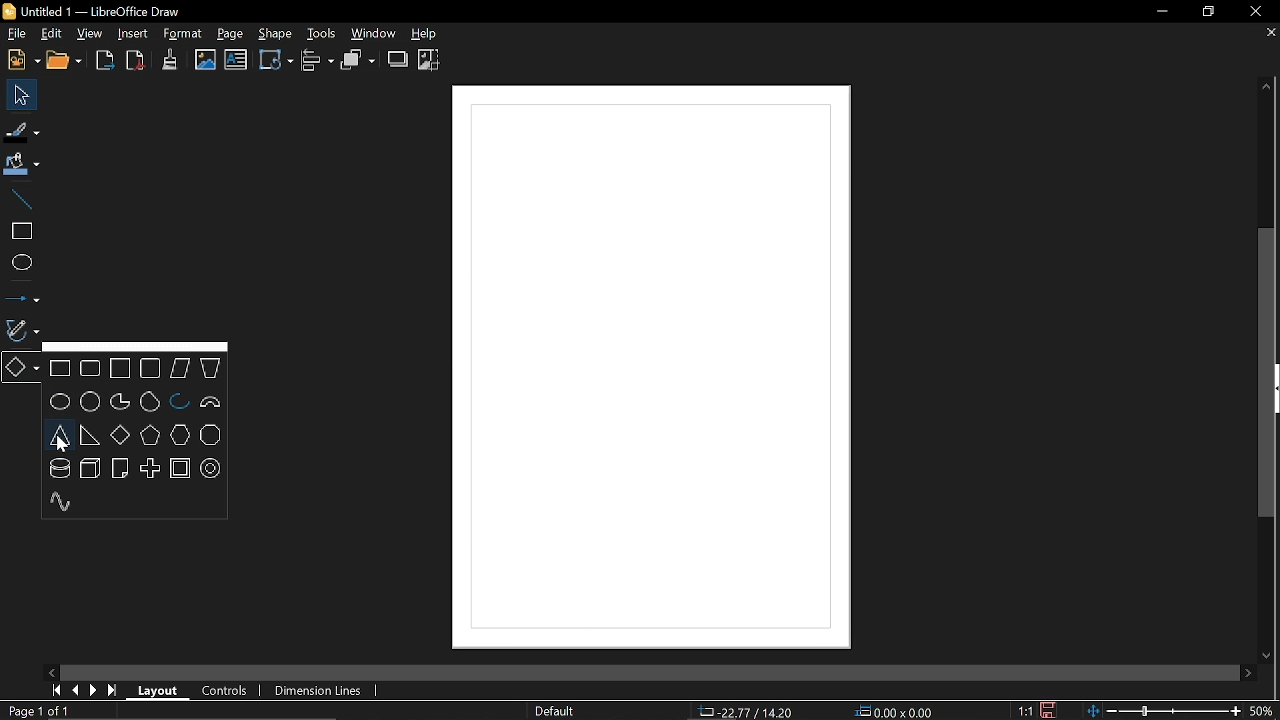 The image size is (1280, 720). I want to click on Layout, so click(155, 689).